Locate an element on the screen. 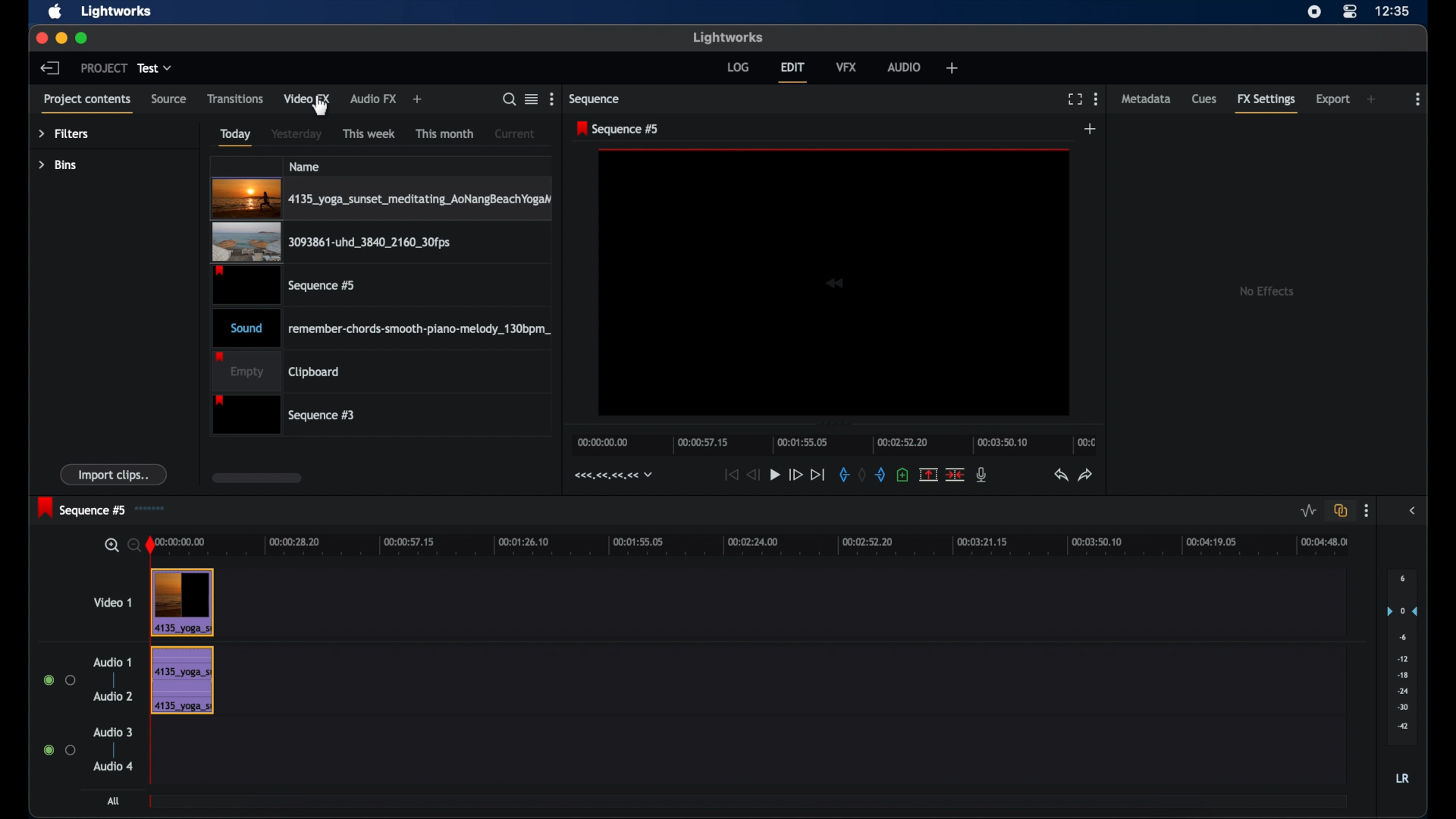 The image size is (1456, 819). log is located at coordinates (738, 67).